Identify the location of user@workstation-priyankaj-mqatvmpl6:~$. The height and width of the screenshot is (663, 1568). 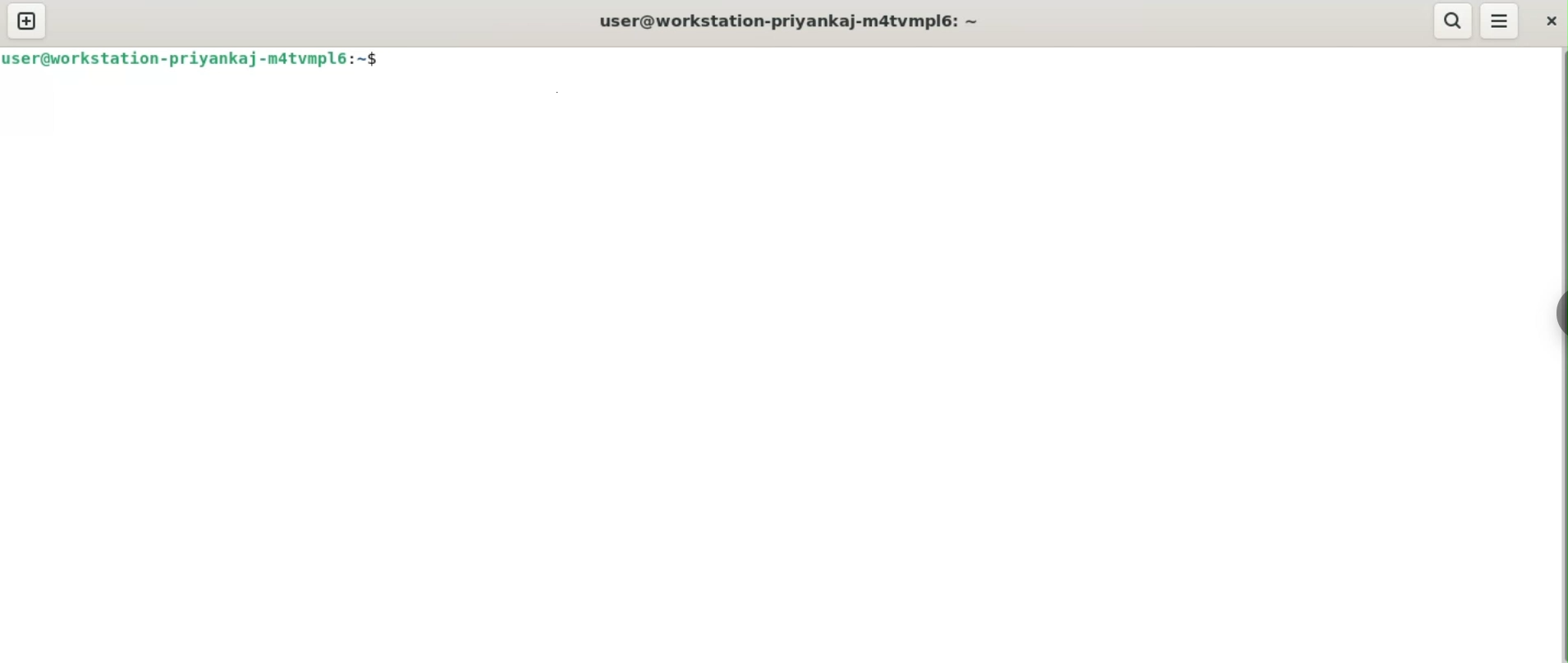
(197, 62).